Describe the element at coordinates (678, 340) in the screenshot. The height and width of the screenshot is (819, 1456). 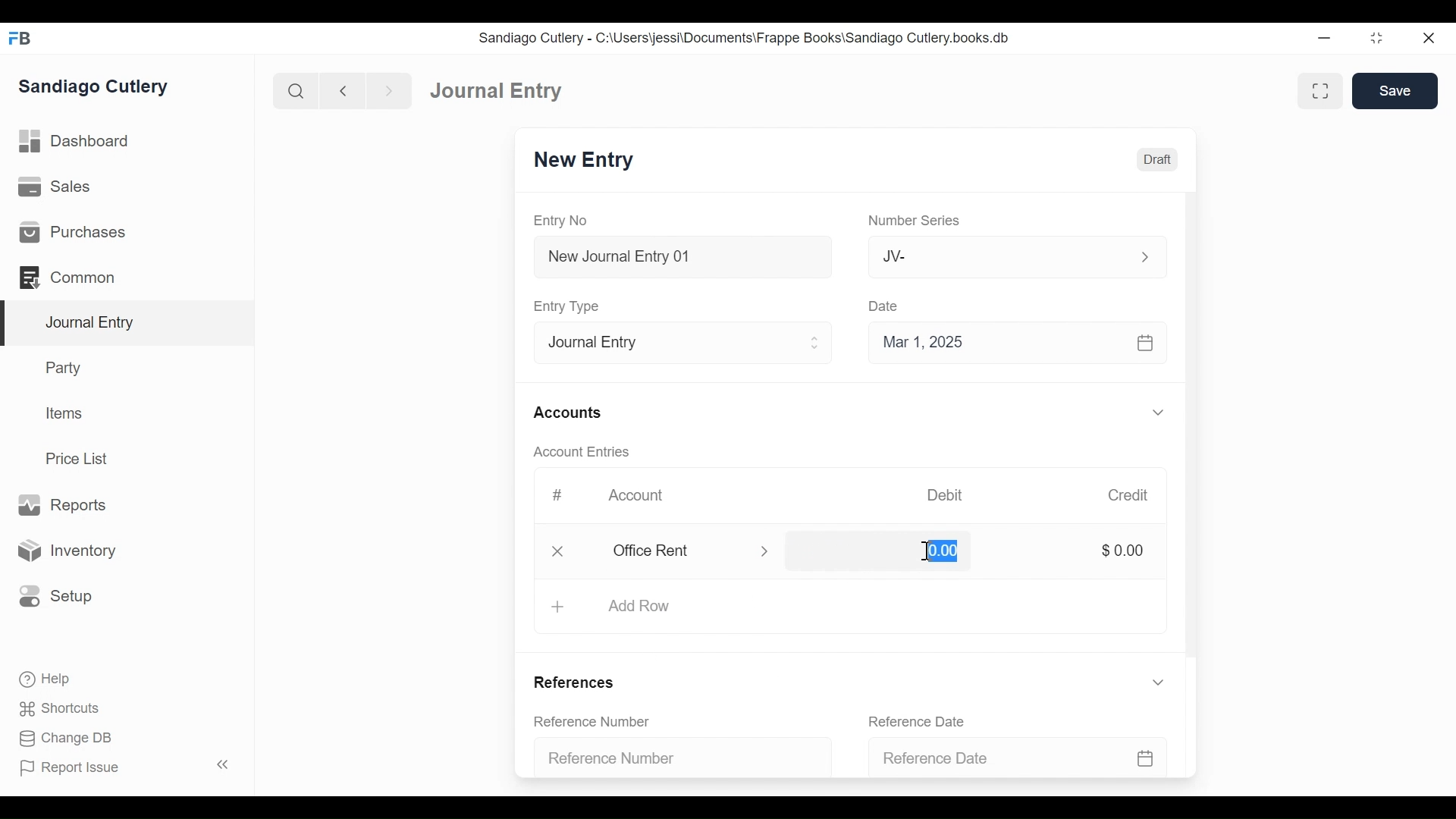
I see `Entry Type` at that location.